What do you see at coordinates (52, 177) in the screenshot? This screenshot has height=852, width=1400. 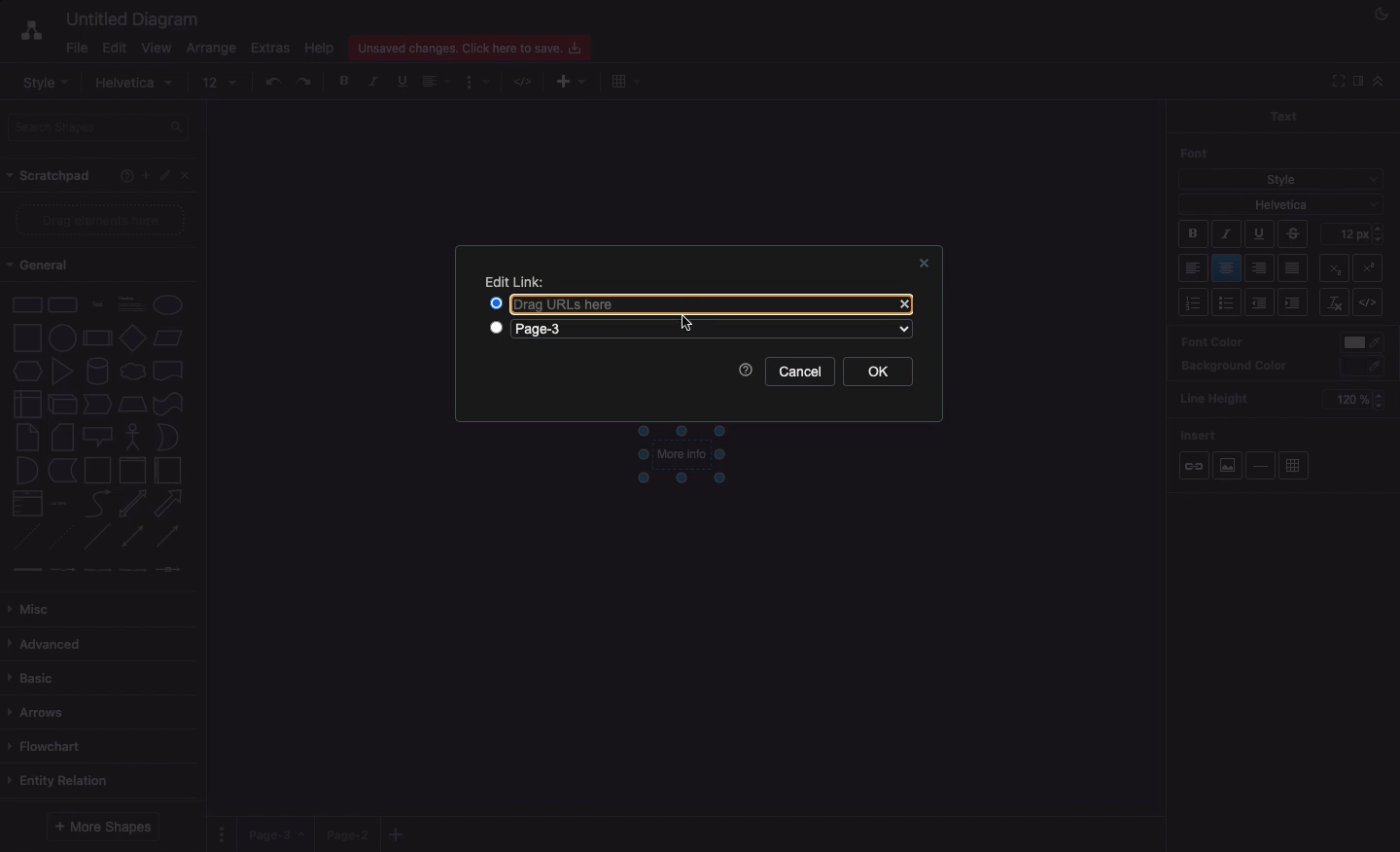 I see `Scratchpad` at bounding box center [52, 177].